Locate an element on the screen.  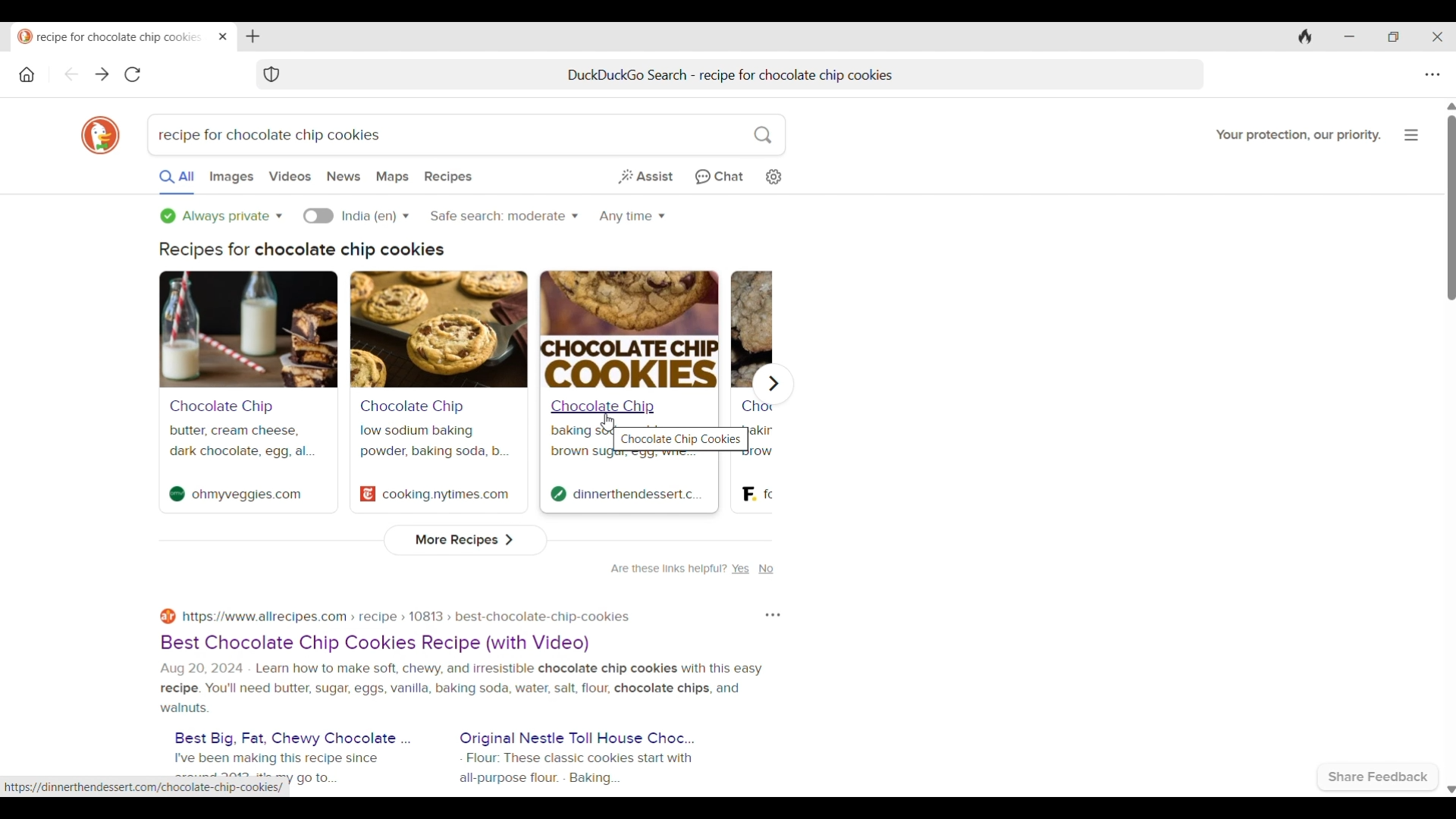
Aug 20, 2024 - Learn how to make soft, chewy, and irresistible chocolate chip cookies with this easyrecipe. You'll need butter, sugar, eggs, vanilla, baking soda, water, salt. flour, chocolate chips, and walnuts. is located at coordinates (462, 688).